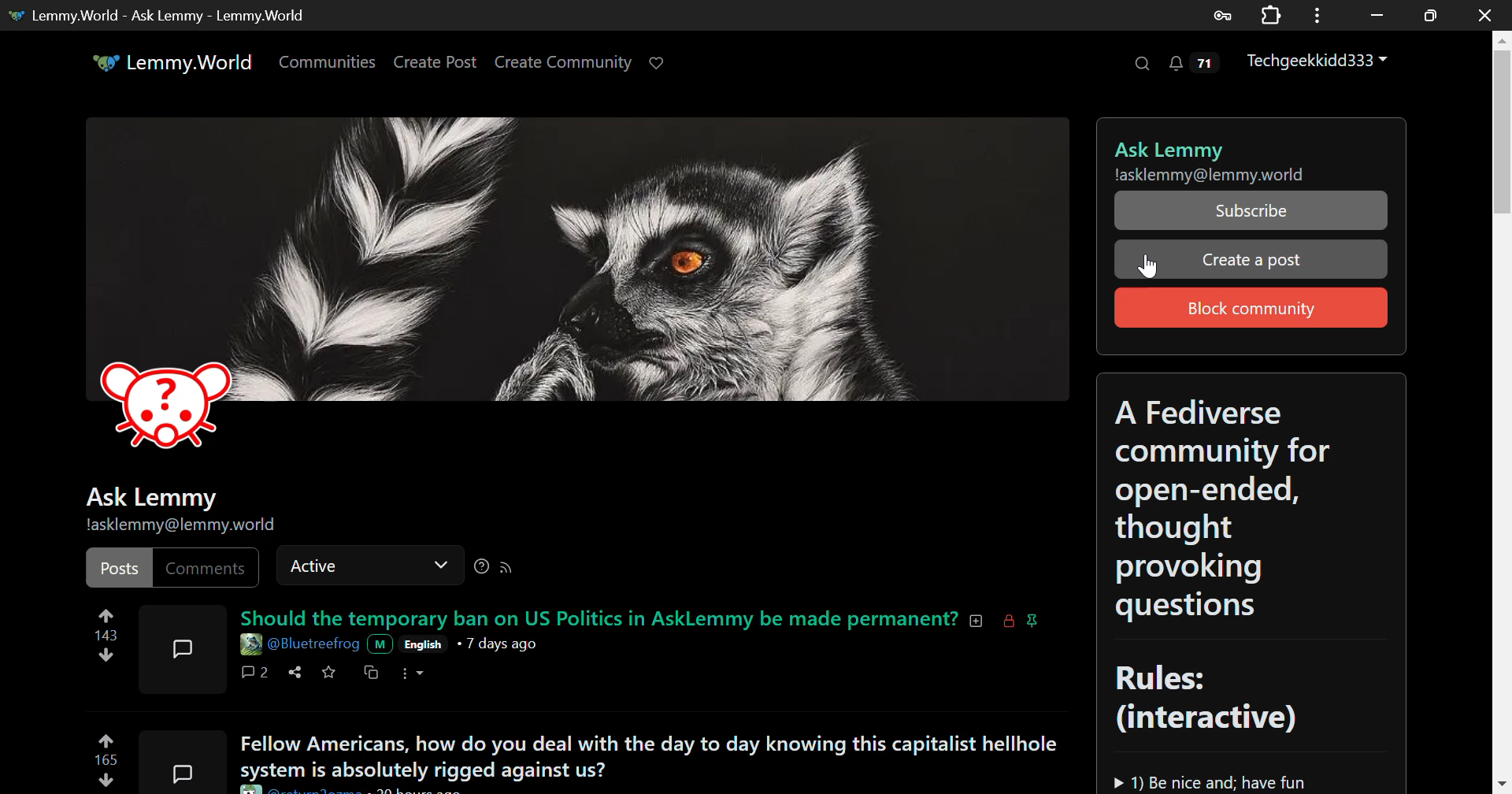 This screenshot has height=794, width=1512. I want to click on Scroll Bar, so click(1503, 404).